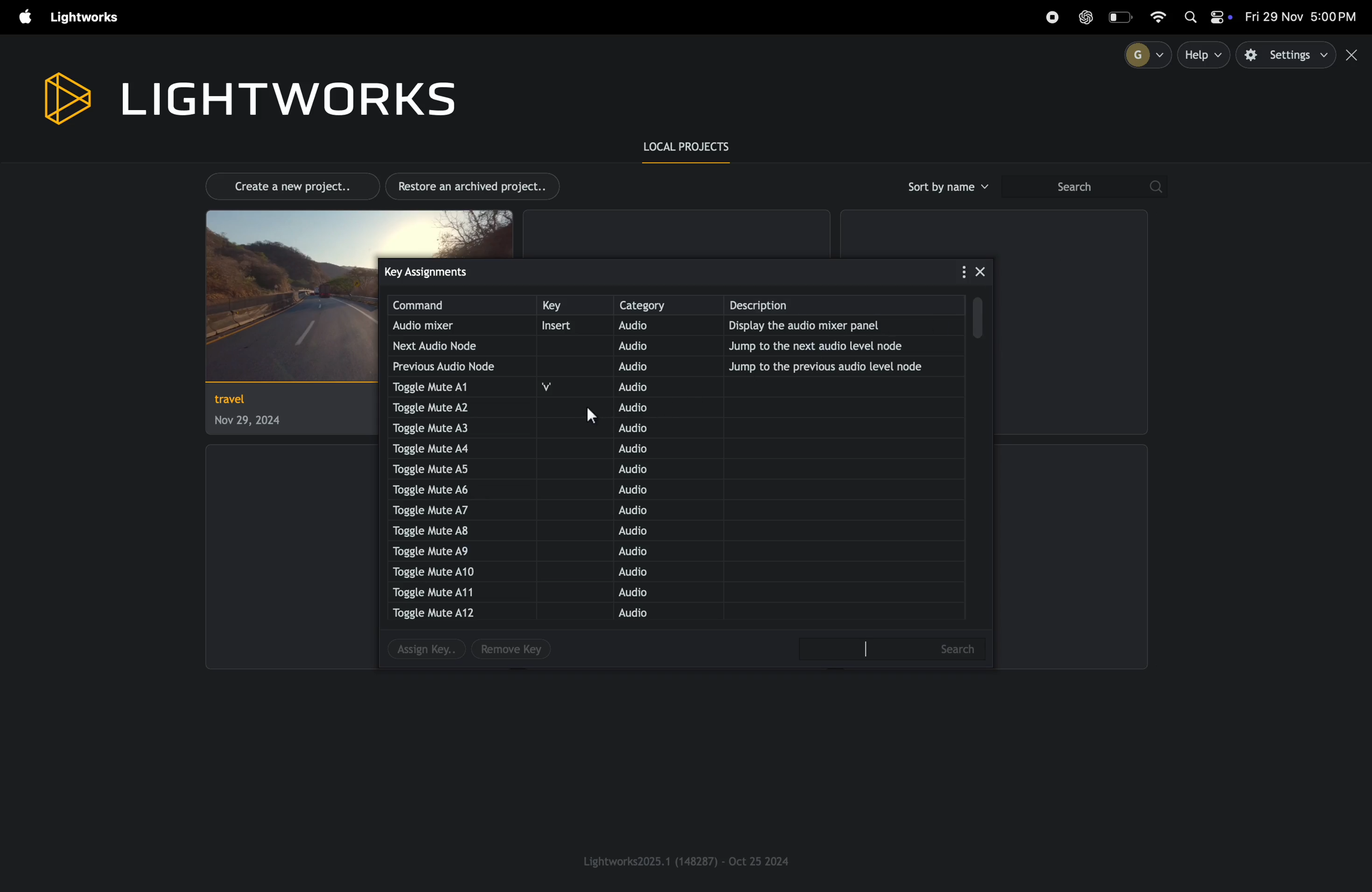  I want to click on category, so click(666, 305).